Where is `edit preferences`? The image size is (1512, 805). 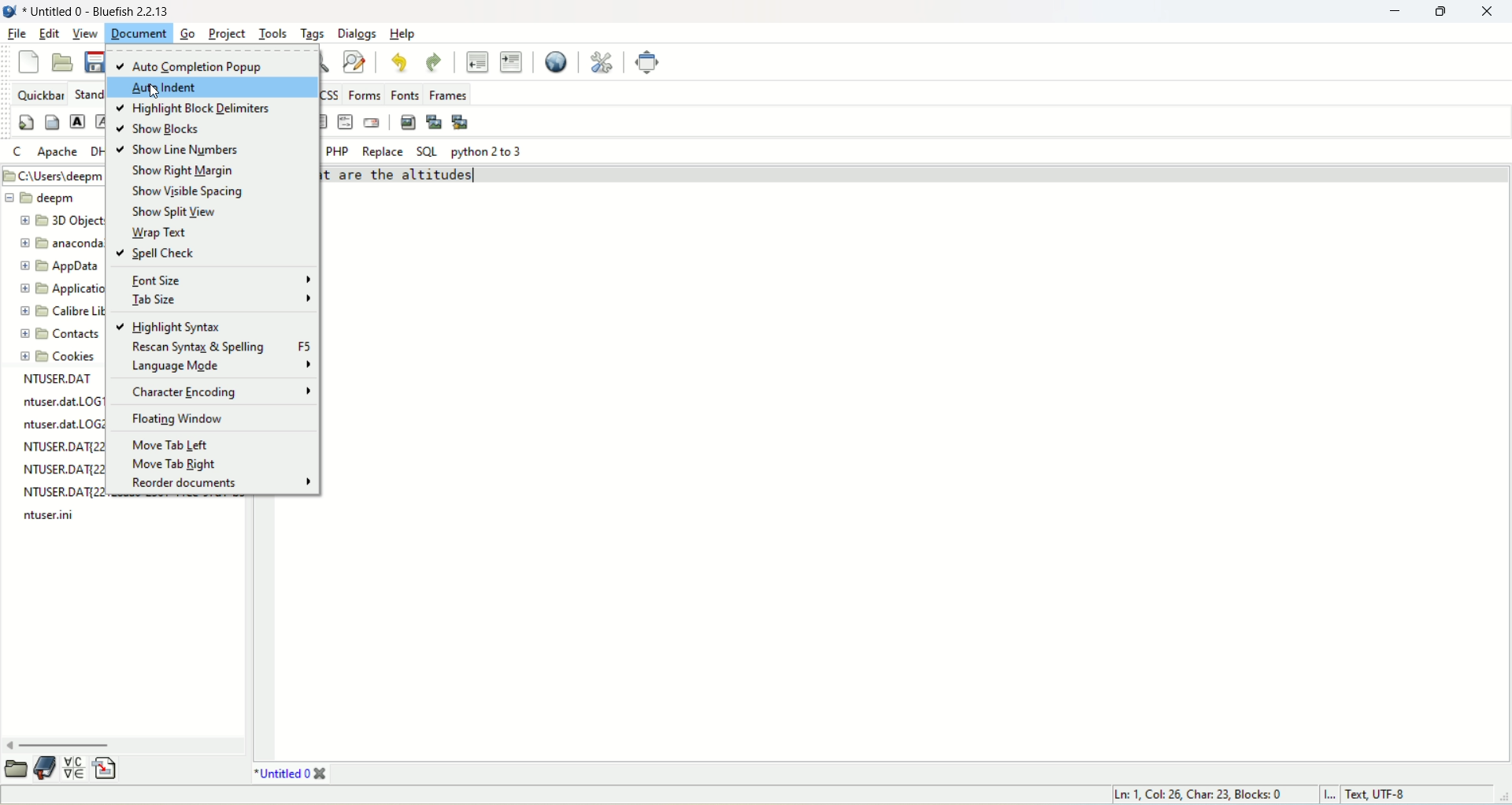
edit preferences is located at coordinates (598, 59).